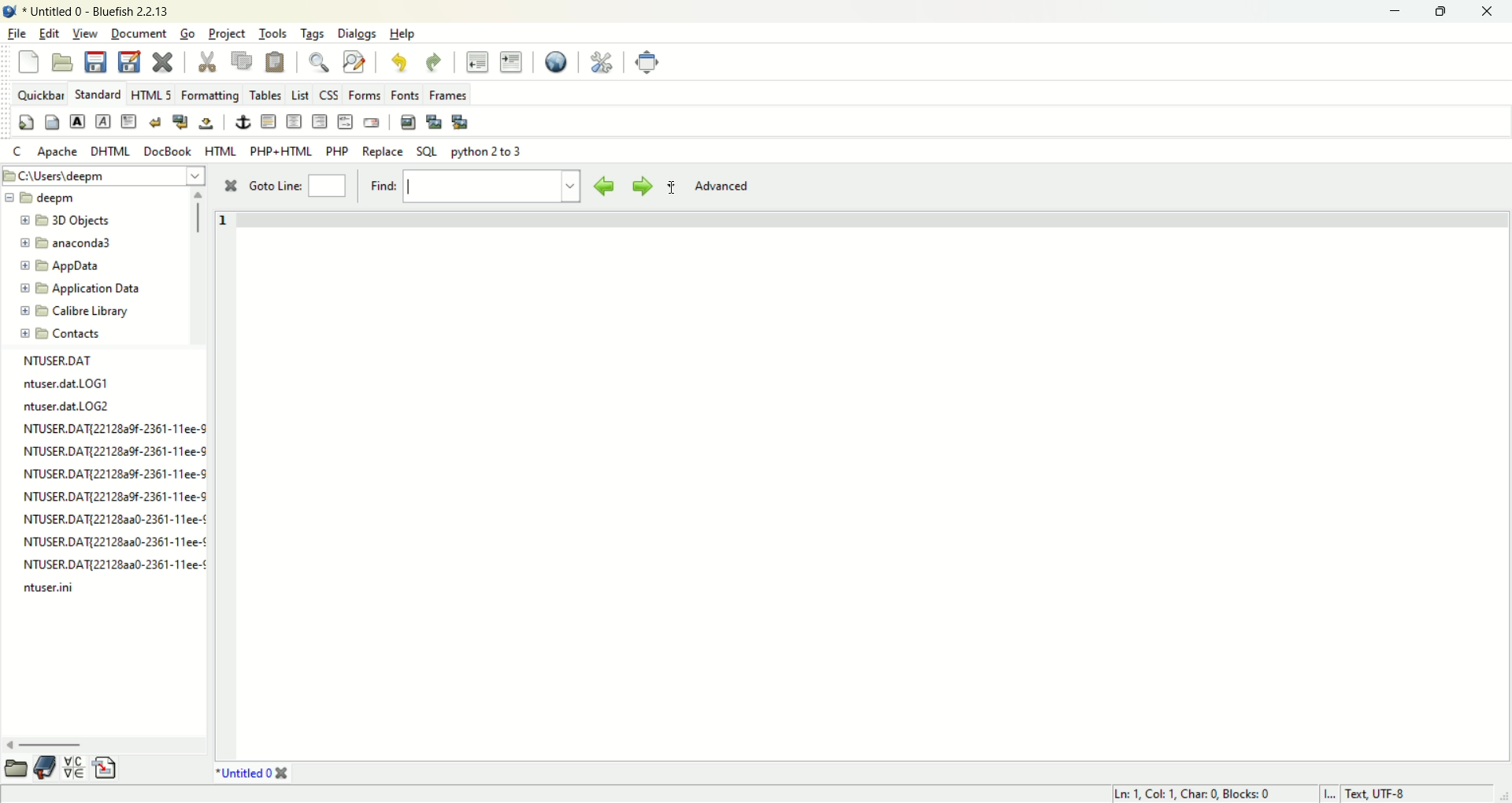  I want to click on quickstart, so click(28, 123).